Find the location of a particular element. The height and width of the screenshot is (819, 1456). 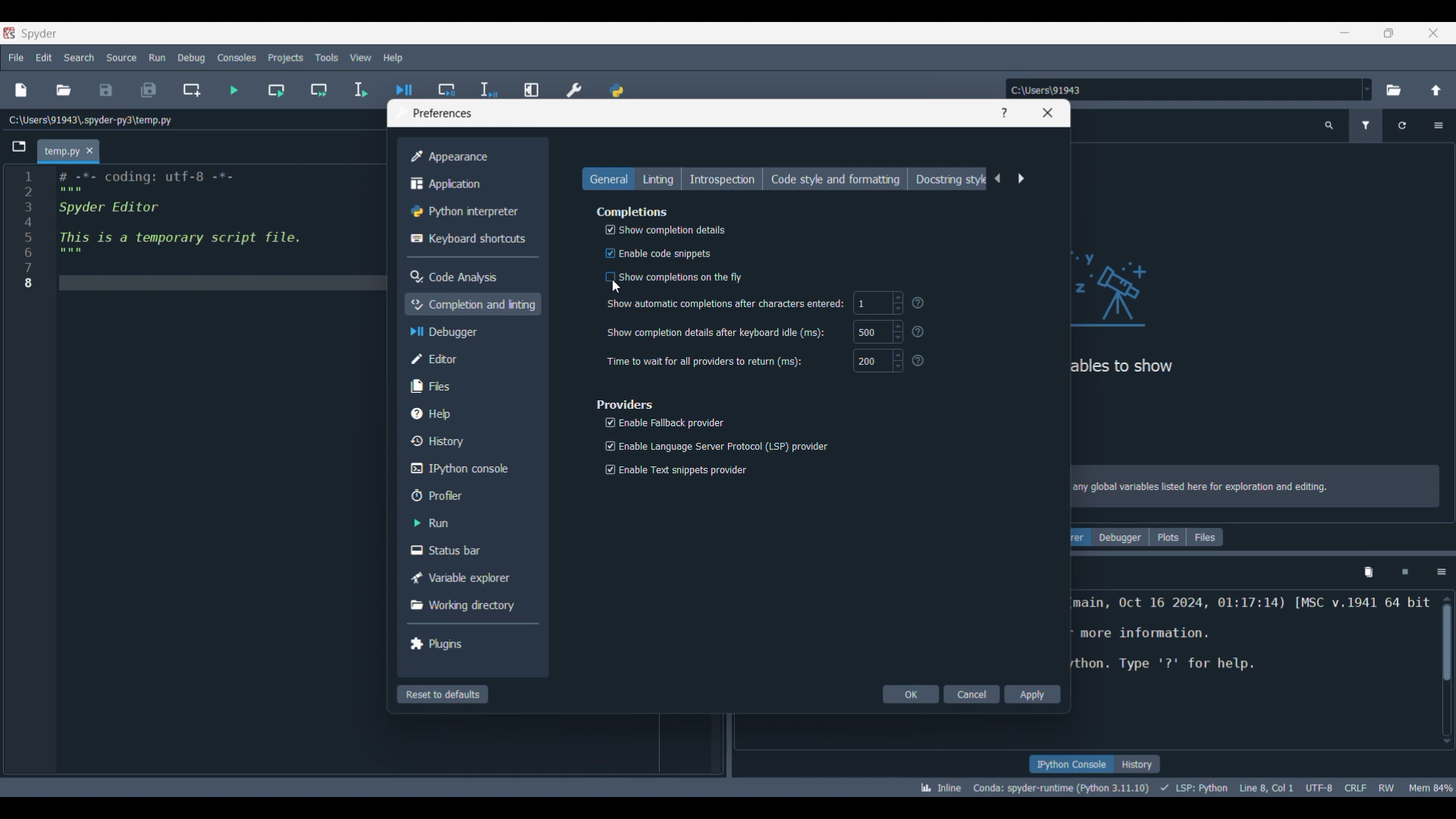

Open file is located at coordinates (63, 90).